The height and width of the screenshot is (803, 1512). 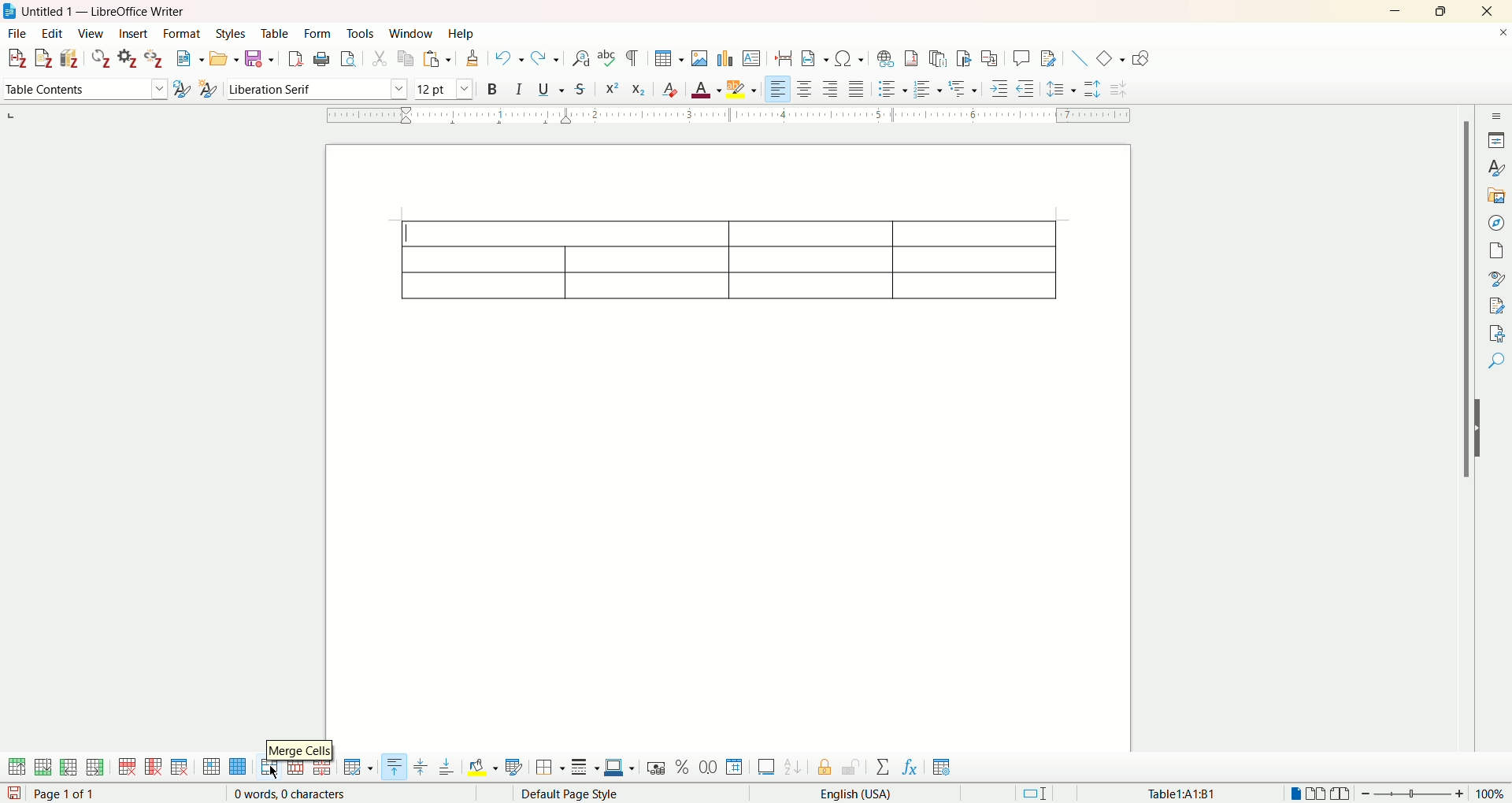 I want to click on insert comments, so click(x=1024, y=58).